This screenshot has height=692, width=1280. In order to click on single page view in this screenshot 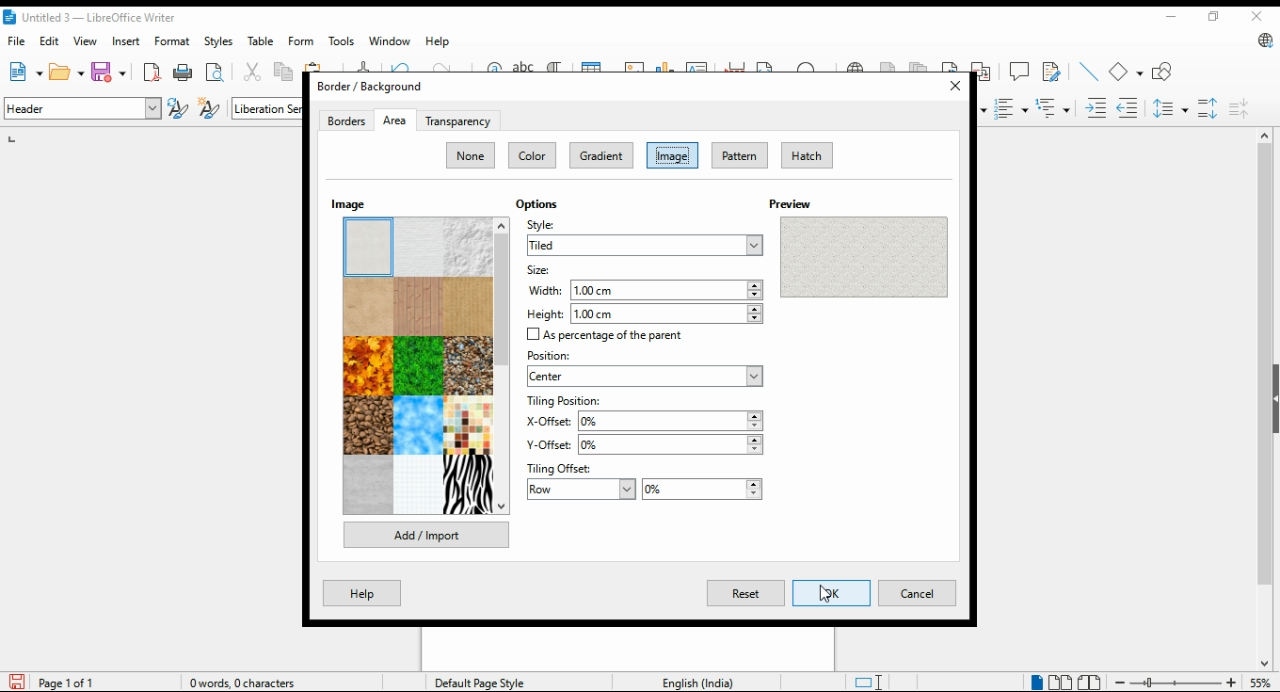, I will do `click(1036, 681)`.